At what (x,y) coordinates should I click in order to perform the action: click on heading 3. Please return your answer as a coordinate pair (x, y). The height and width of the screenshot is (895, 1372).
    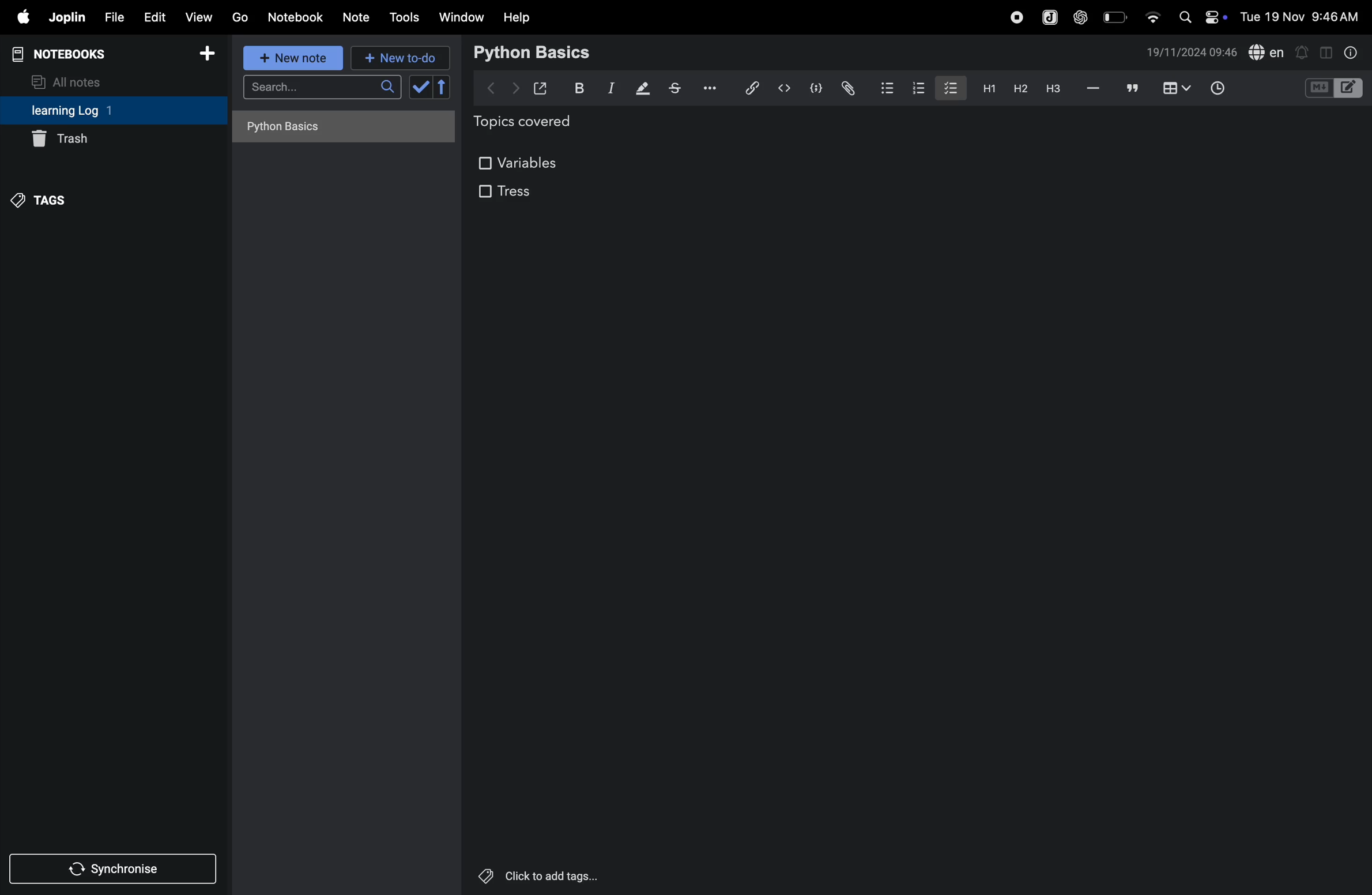
    Looking at the image, I should click on (1053, 89).